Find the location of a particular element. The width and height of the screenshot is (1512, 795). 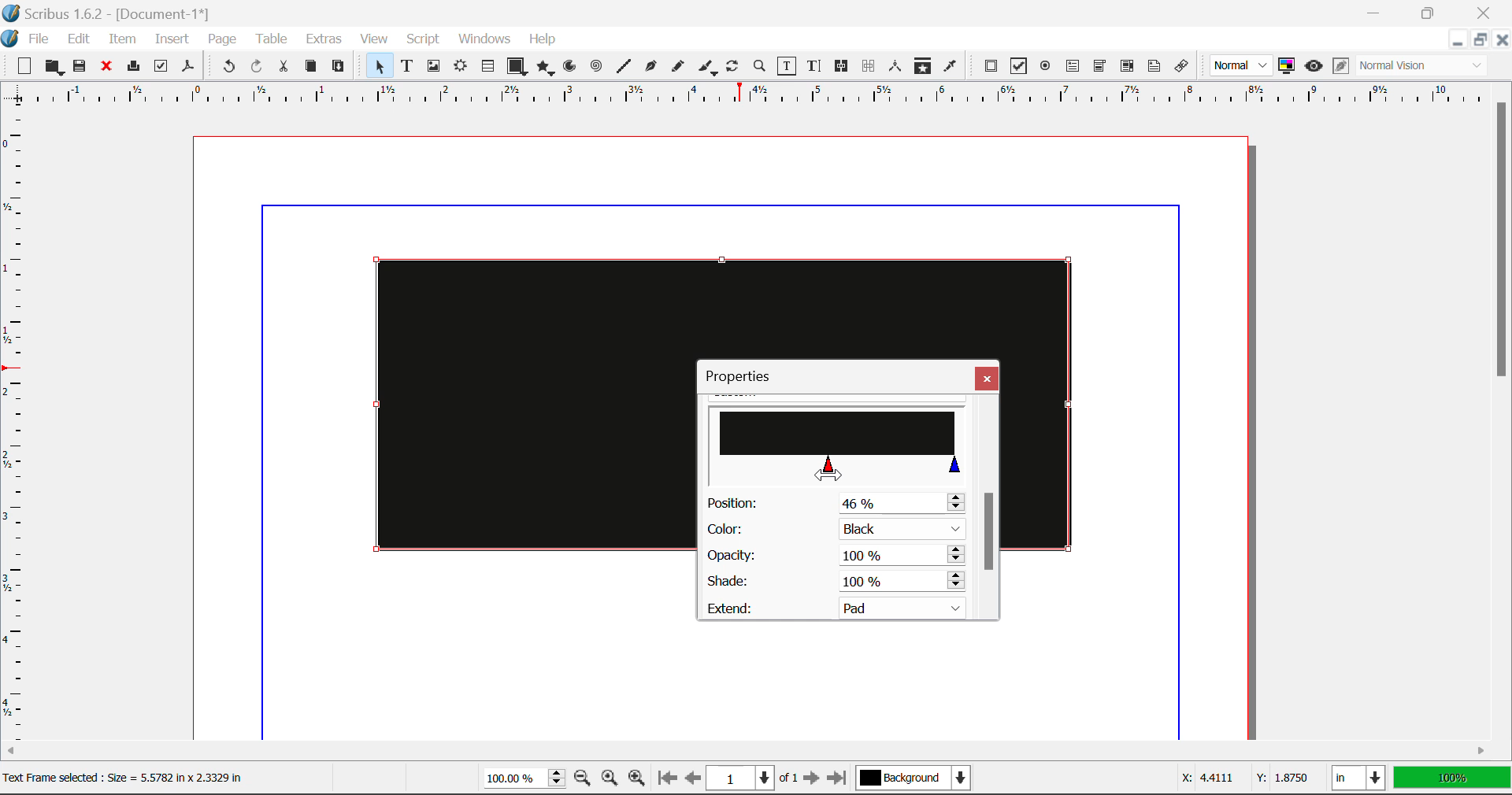

Close is located at coordinates (987, 378).